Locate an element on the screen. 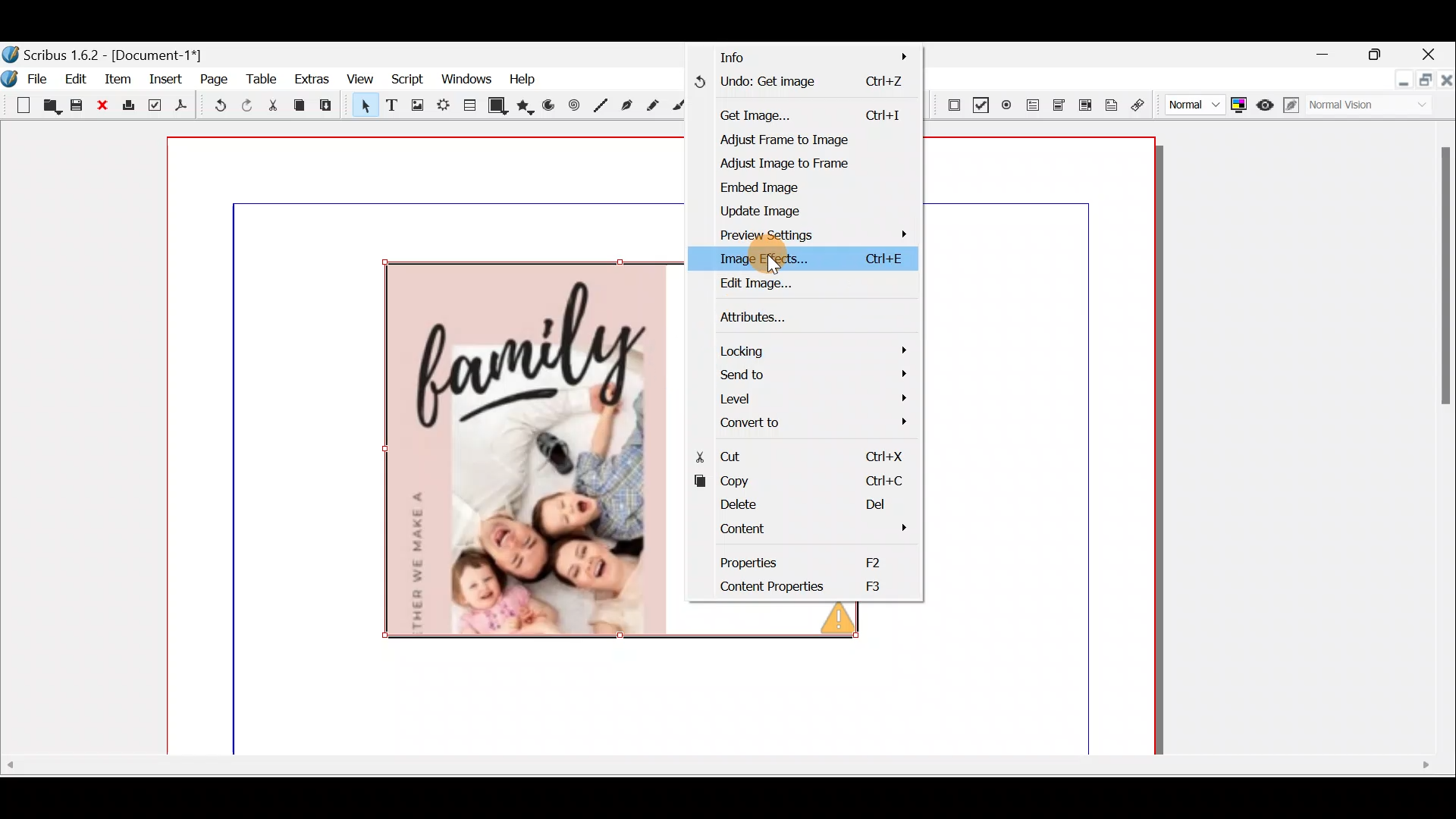 The image size is (1456, 819). Adjust frame to image is located at coordinates (795, 140).